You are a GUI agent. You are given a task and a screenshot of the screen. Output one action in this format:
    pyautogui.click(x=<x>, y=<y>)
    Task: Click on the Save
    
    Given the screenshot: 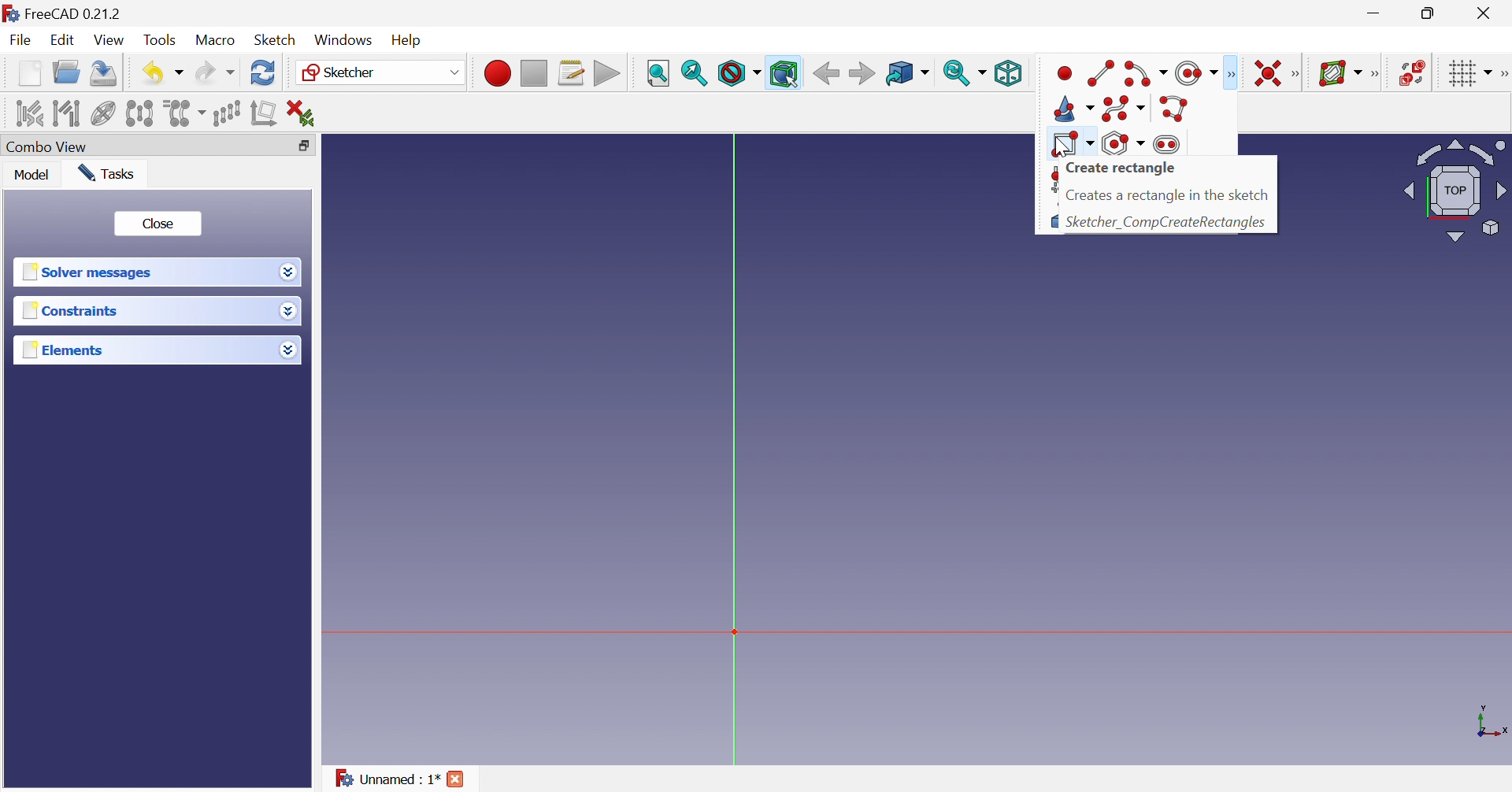 What is the action you would take?
    pyautogui.click(x=161, y=73)
    